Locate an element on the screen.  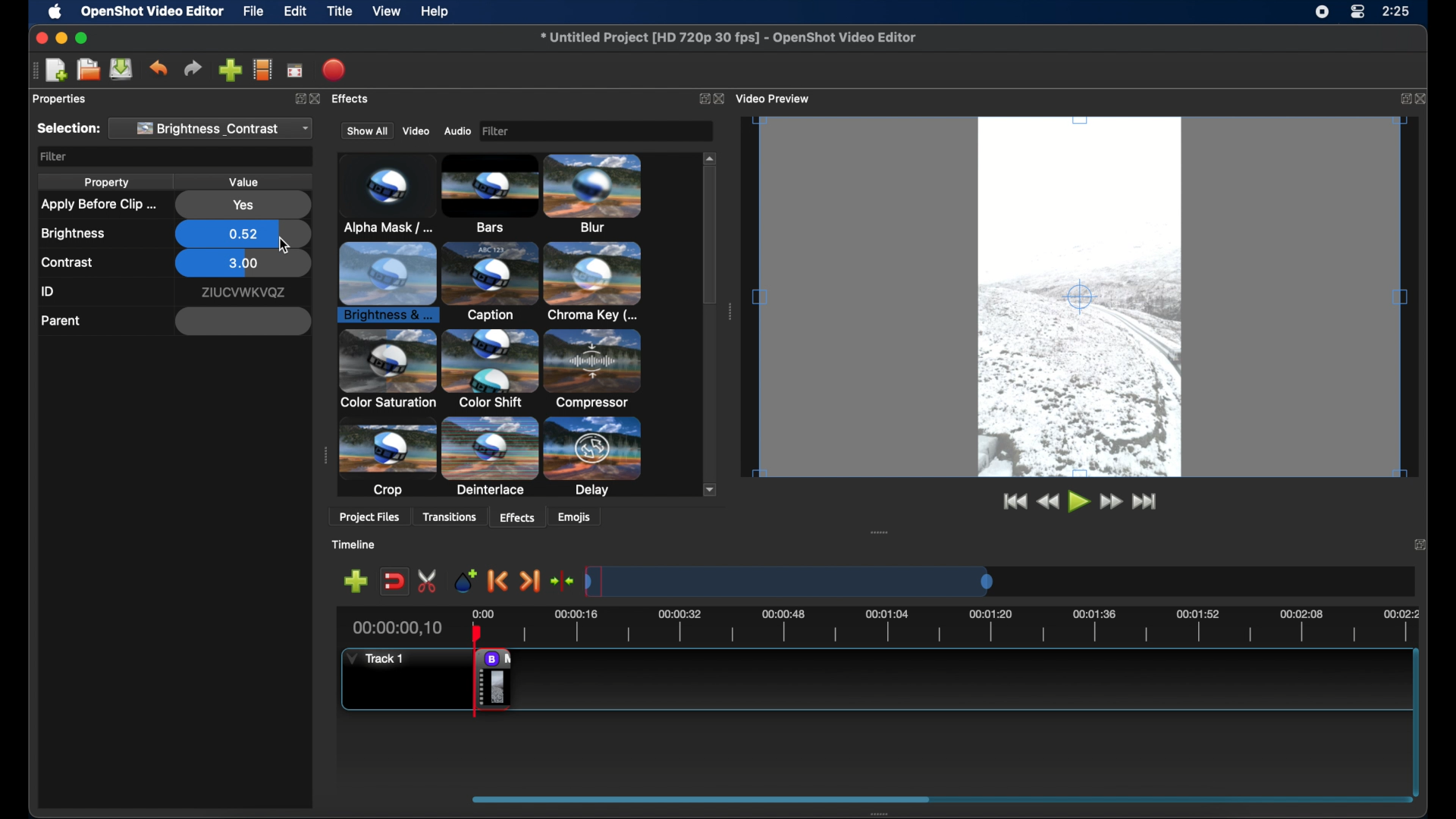
remove effect is located at coordinates (493, 679).